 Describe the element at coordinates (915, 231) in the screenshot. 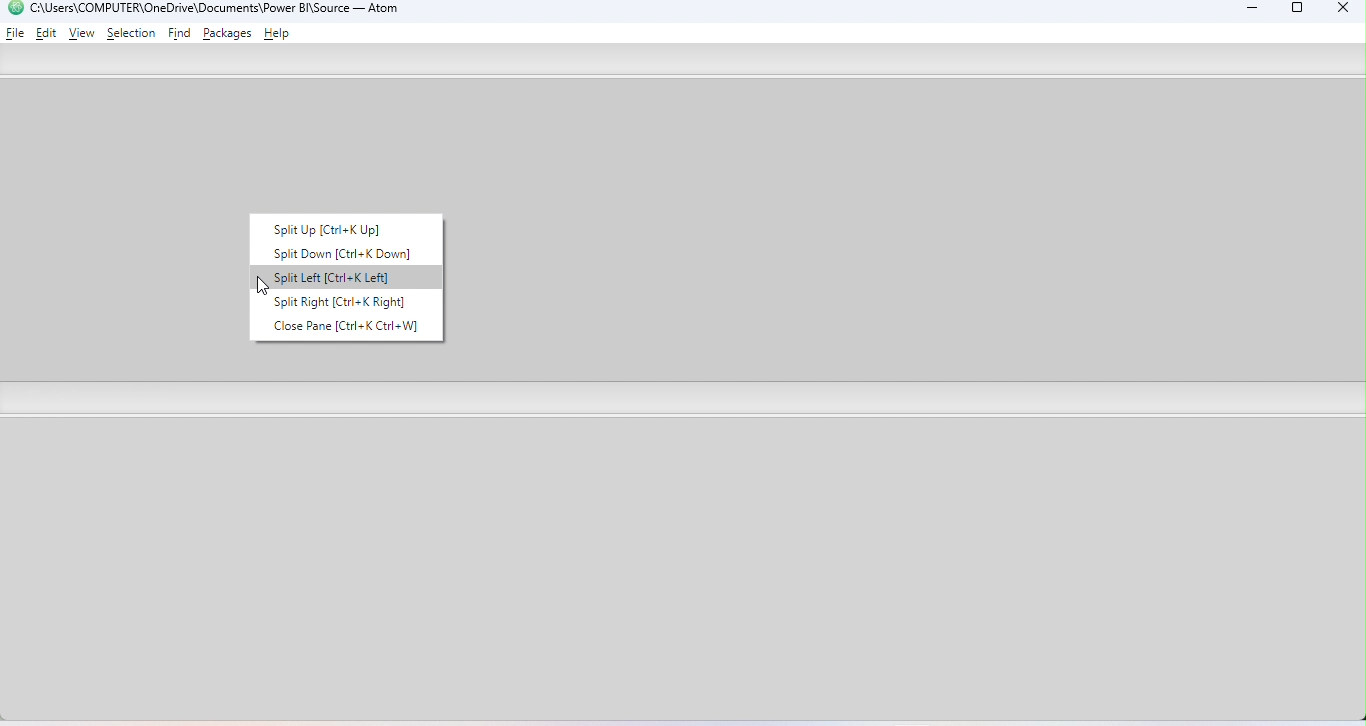

I see `Pane 1` at that location.